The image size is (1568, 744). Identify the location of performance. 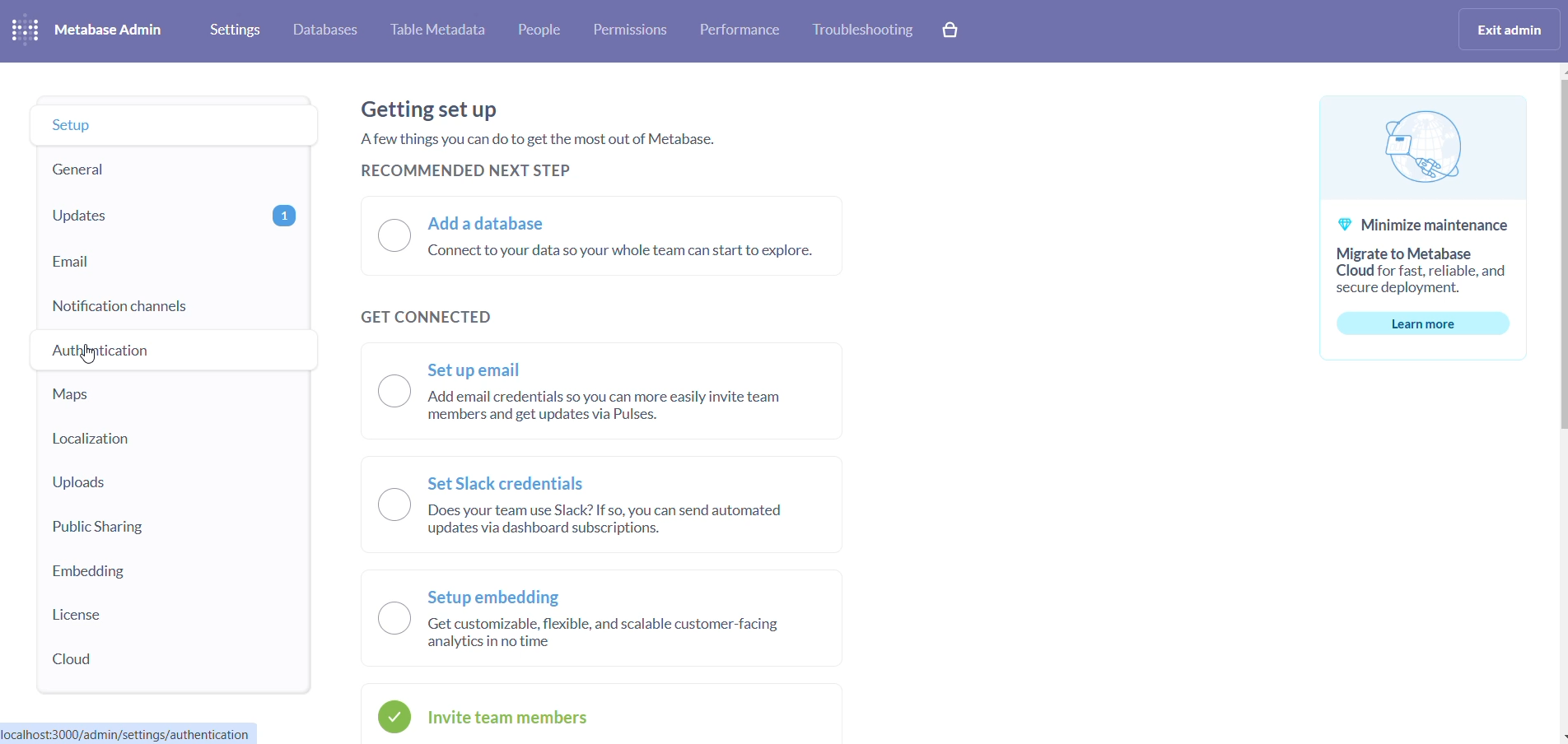
(738, 30).